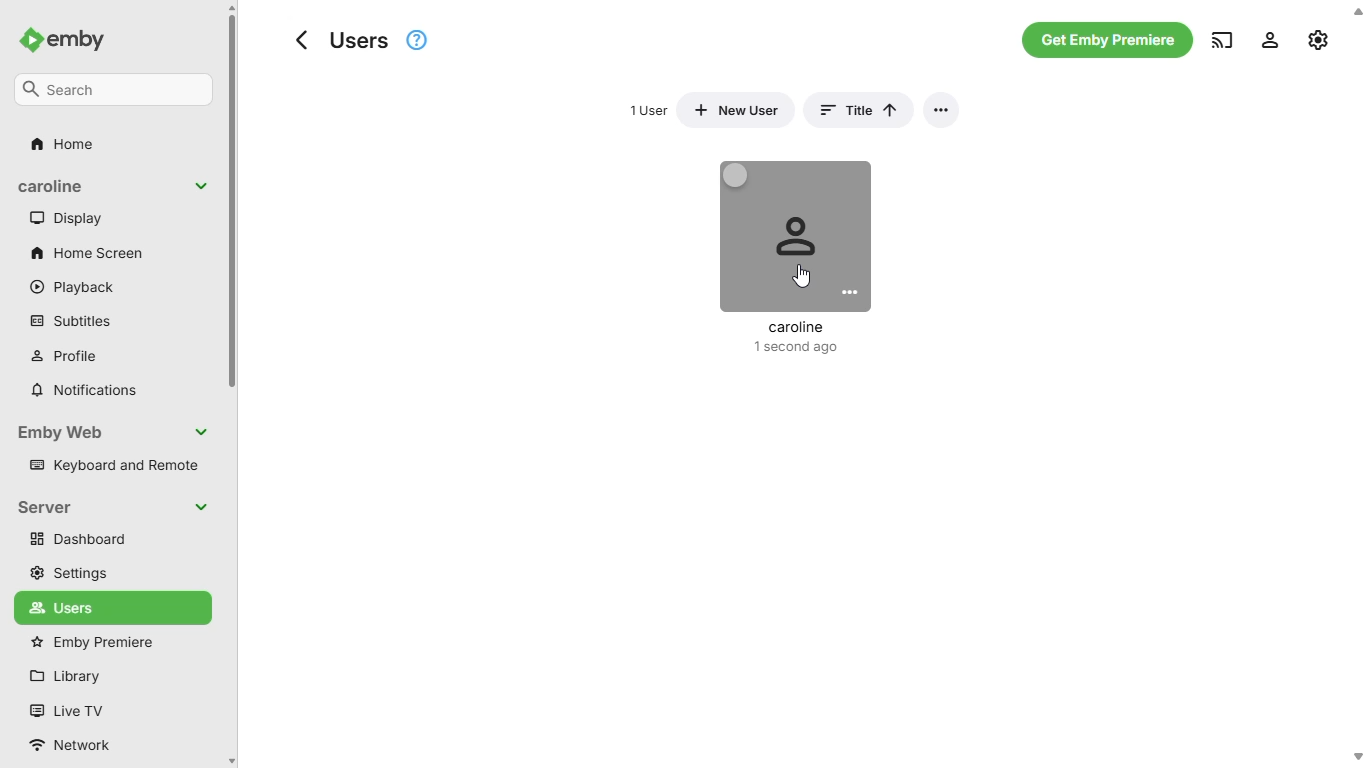 The width and height of the screenshot is (1366, 768). What do you see at coordinates (856, 110) in the screenshot?
I see `sort by title` at bounding box center [856, 110].